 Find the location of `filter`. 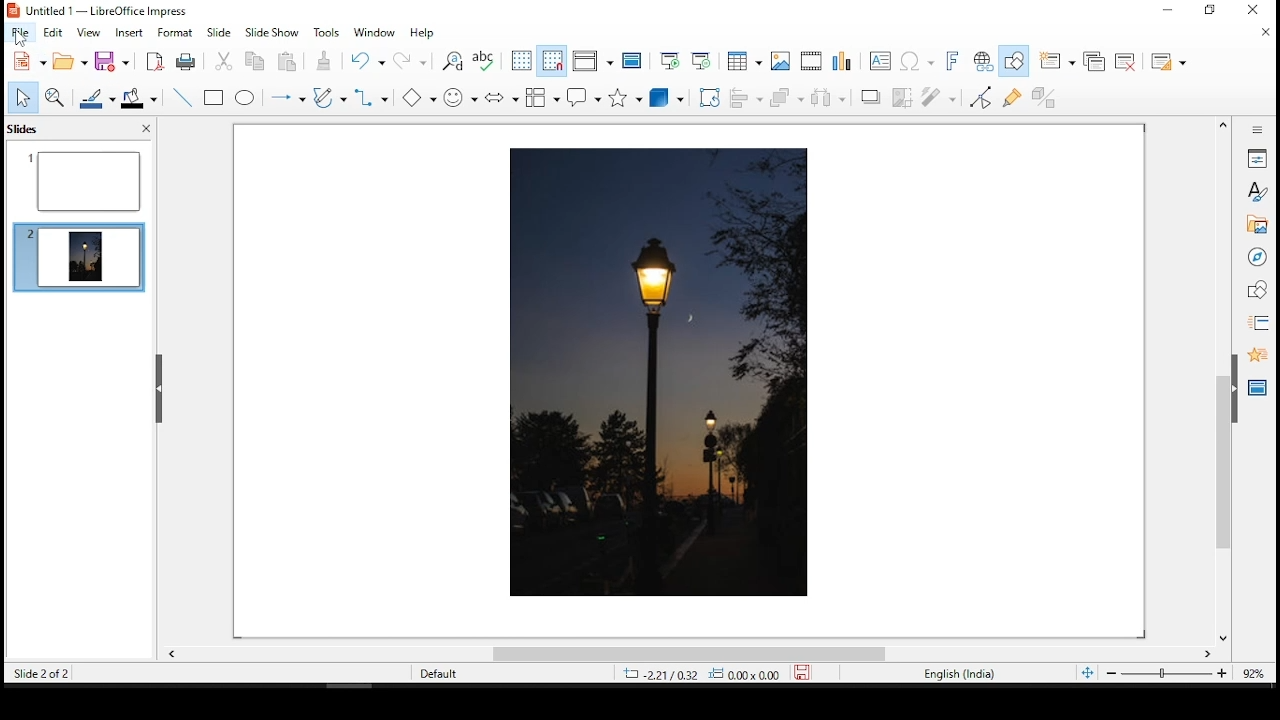

filter is located at coordinates (937, 98).